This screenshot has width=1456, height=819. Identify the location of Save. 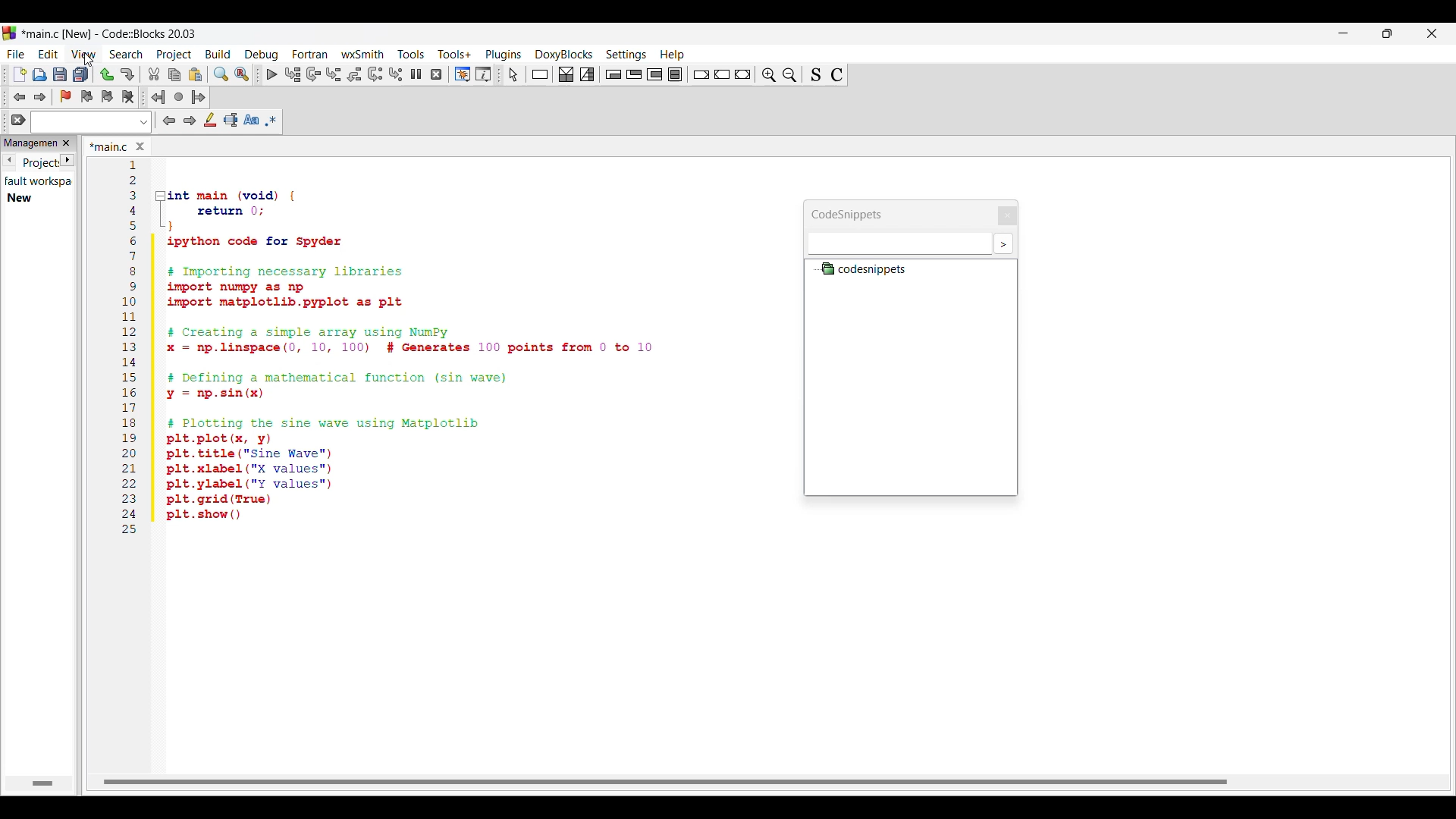
(60, 74).